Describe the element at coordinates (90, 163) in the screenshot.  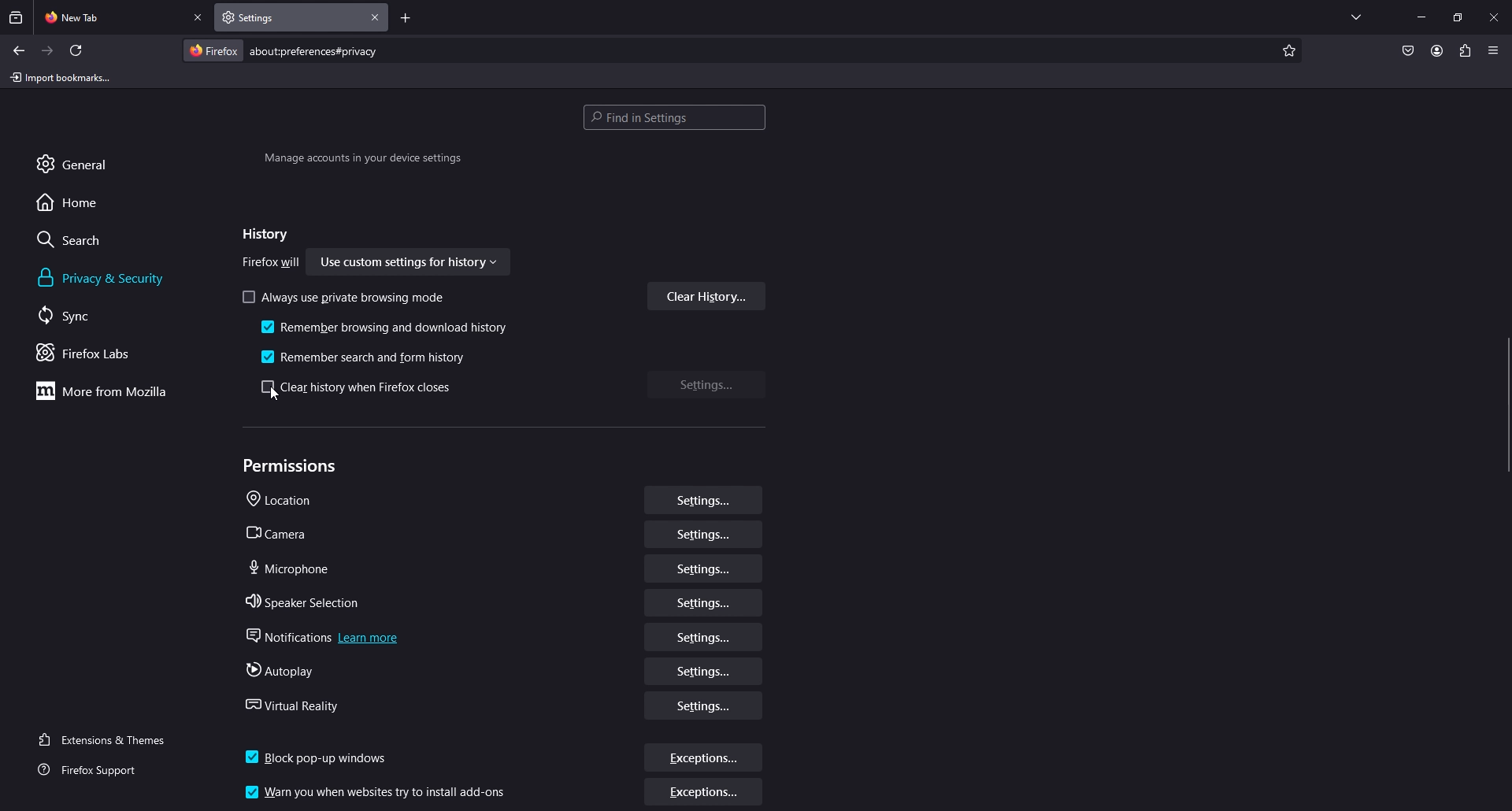
I see `general` at that location.